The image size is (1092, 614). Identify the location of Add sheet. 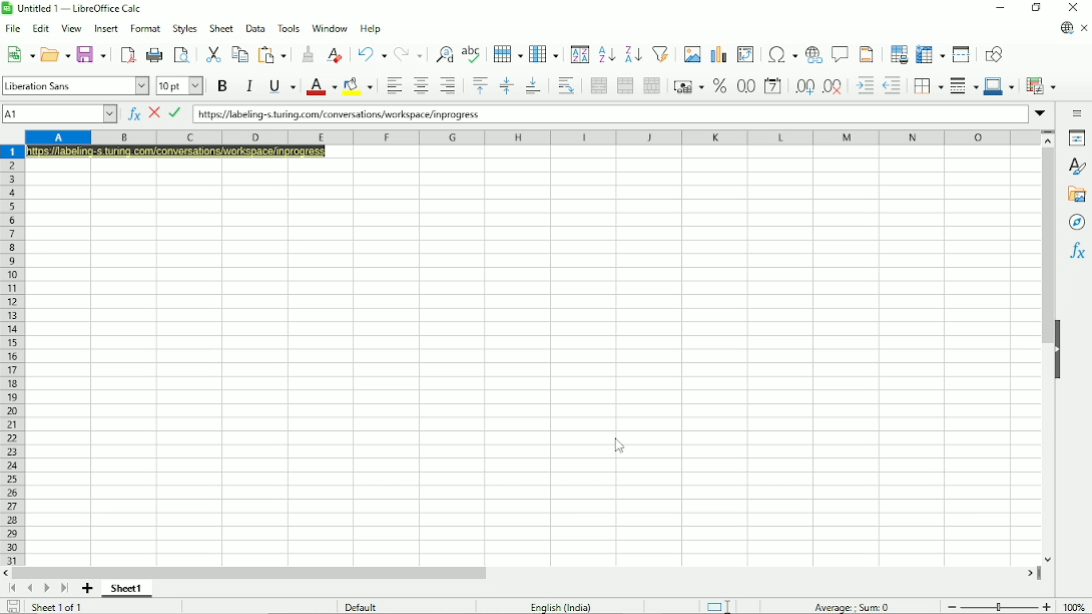
(88, 589).